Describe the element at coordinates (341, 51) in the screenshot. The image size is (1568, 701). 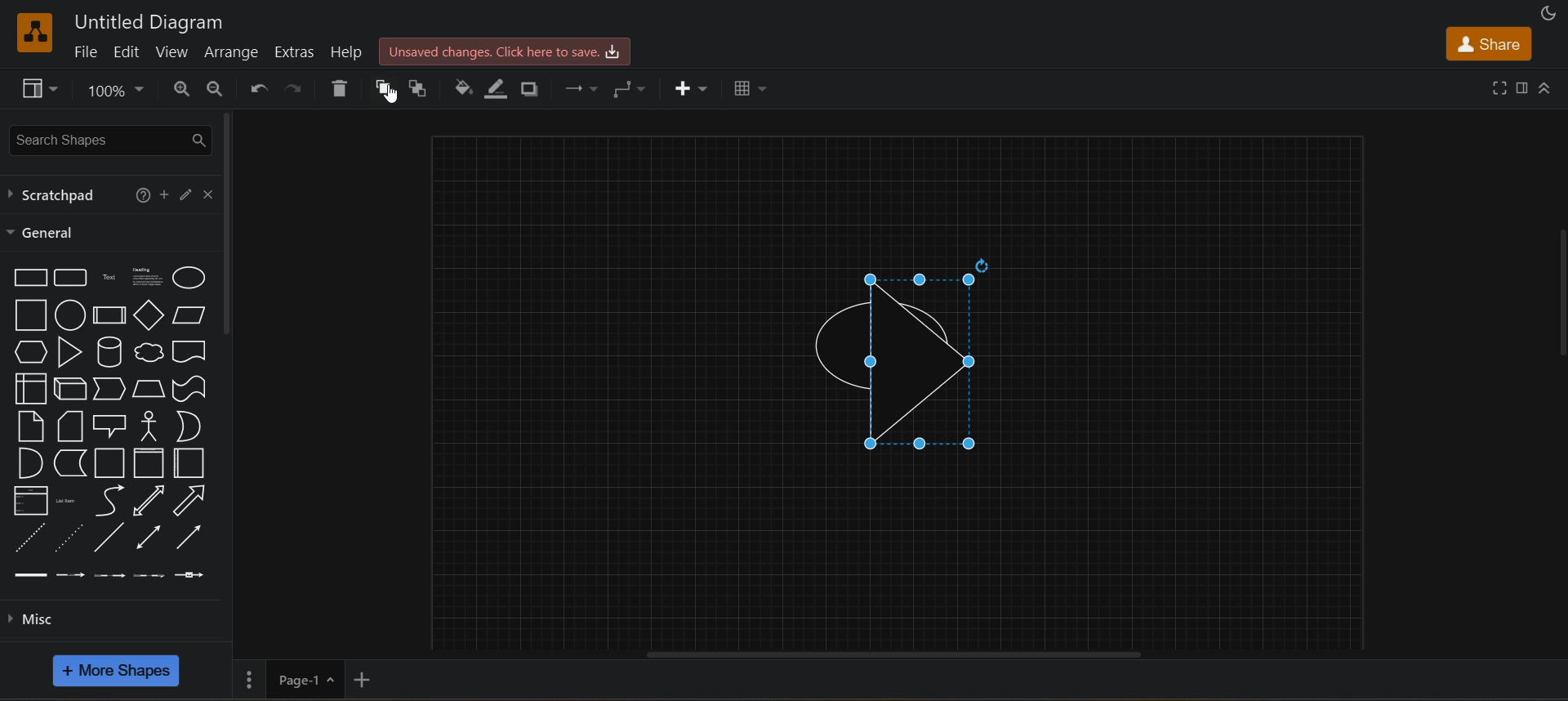
I see `help` at that location.